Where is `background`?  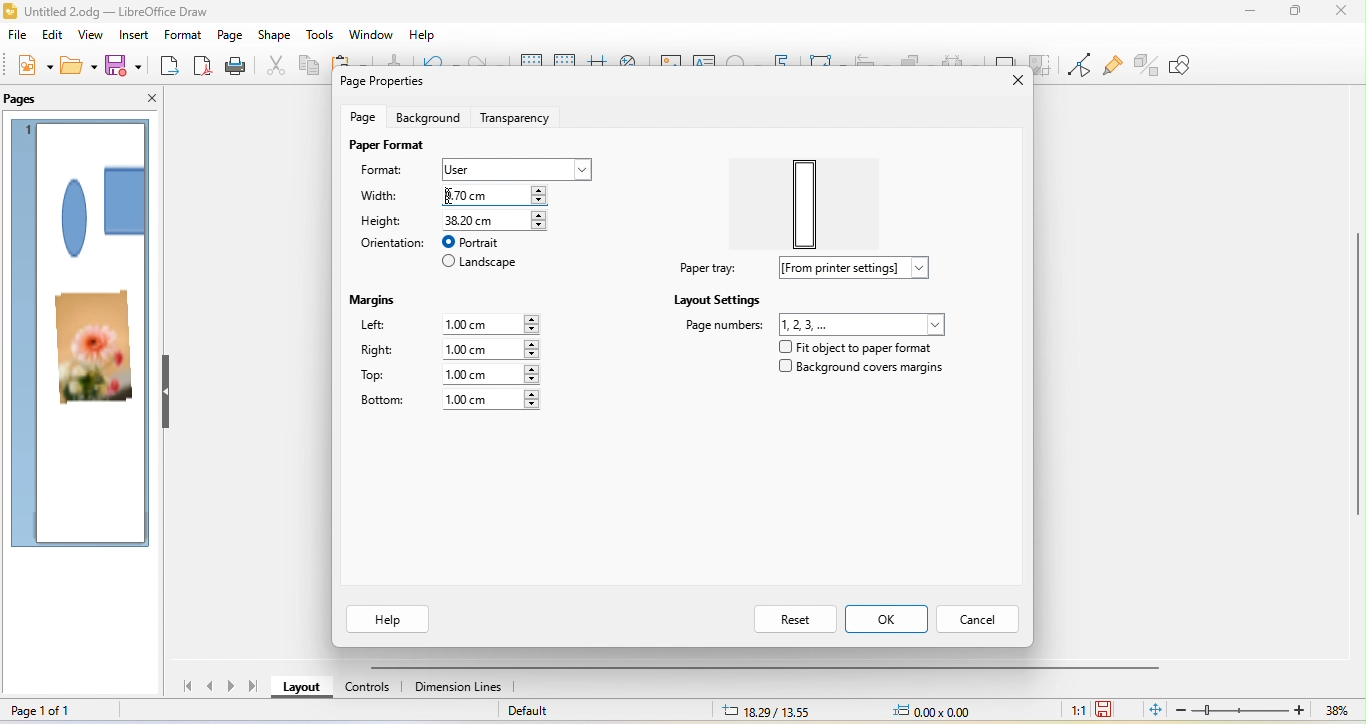 background is located at coordinates (429, 119).